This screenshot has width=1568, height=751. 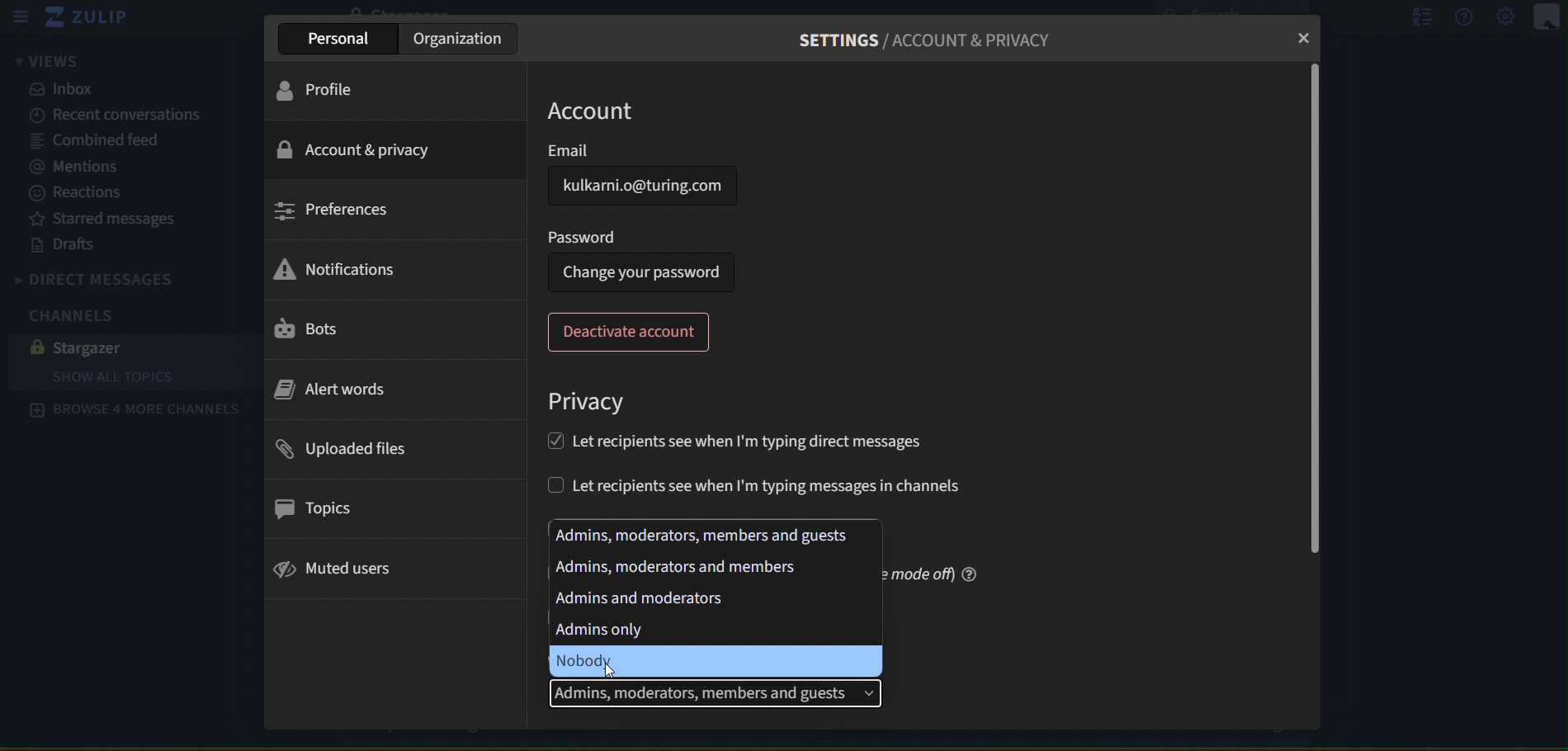 I want to click on nobody, so click(x=705, y=661).